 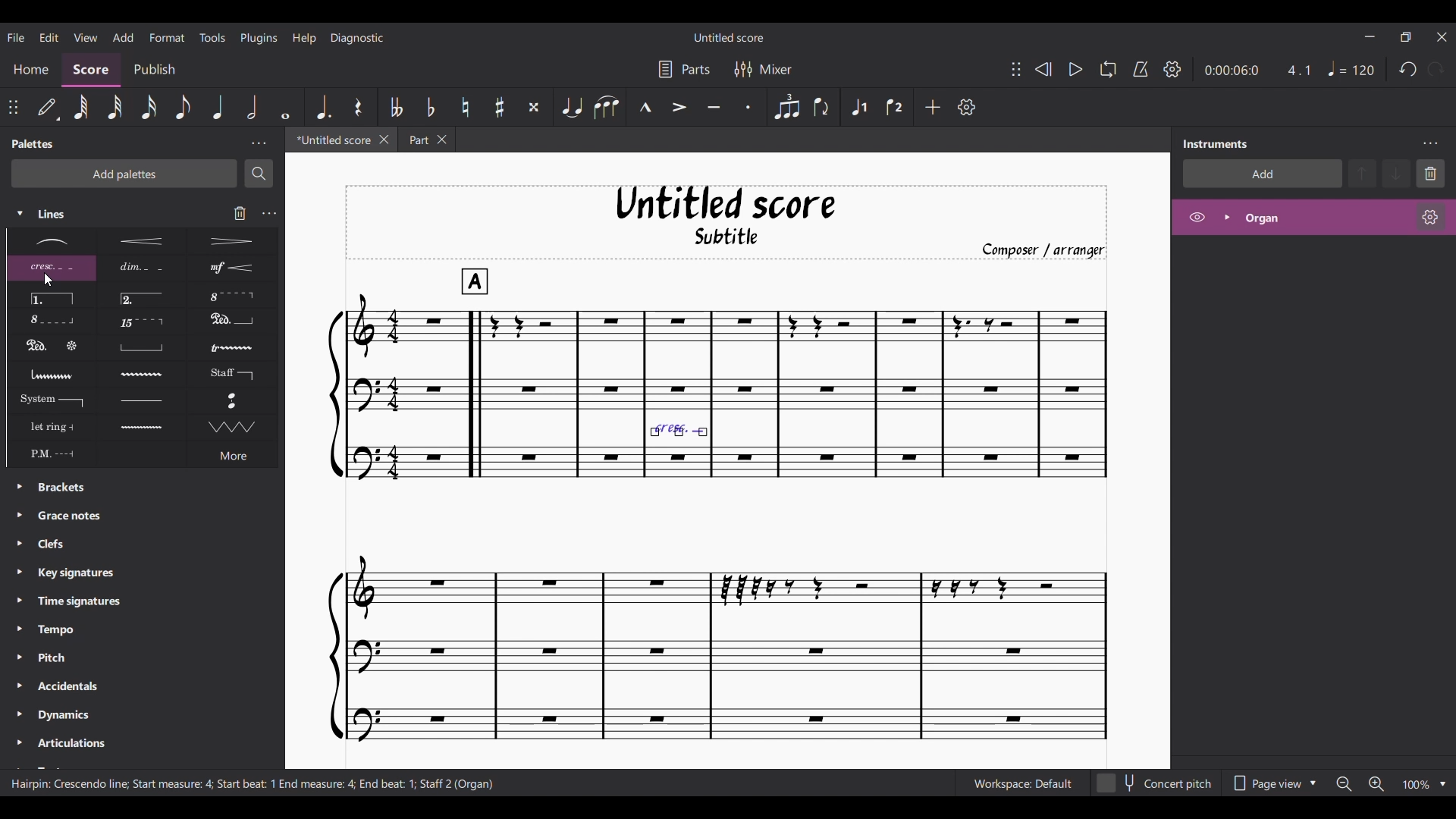 I want to click on Parts settings, so click(x=684, y=68).